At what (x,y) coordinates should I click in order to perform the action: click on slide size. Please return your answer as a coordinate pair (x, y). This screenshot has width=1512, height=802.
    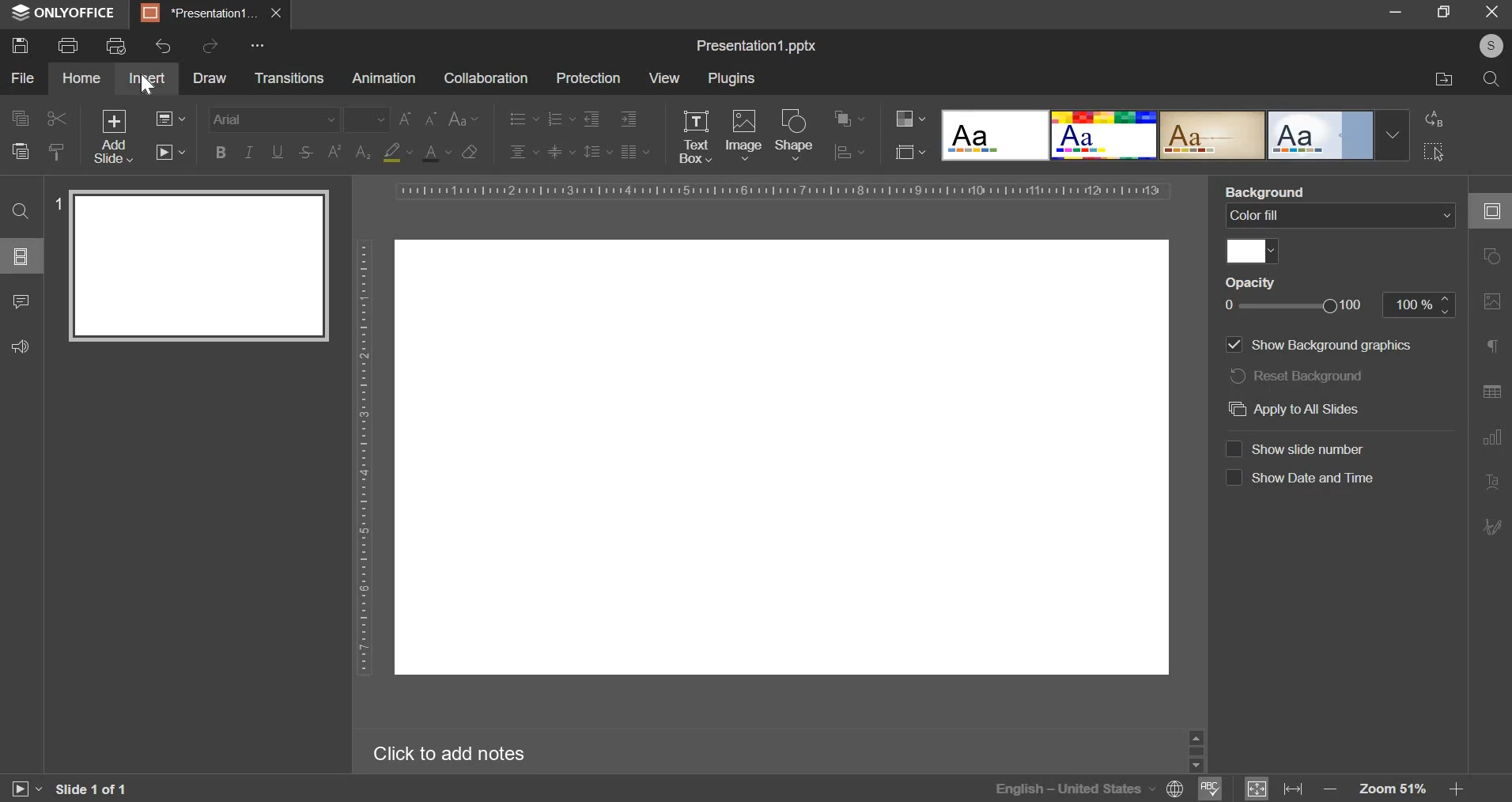
    Looking at the image, I should click on (911, 153).